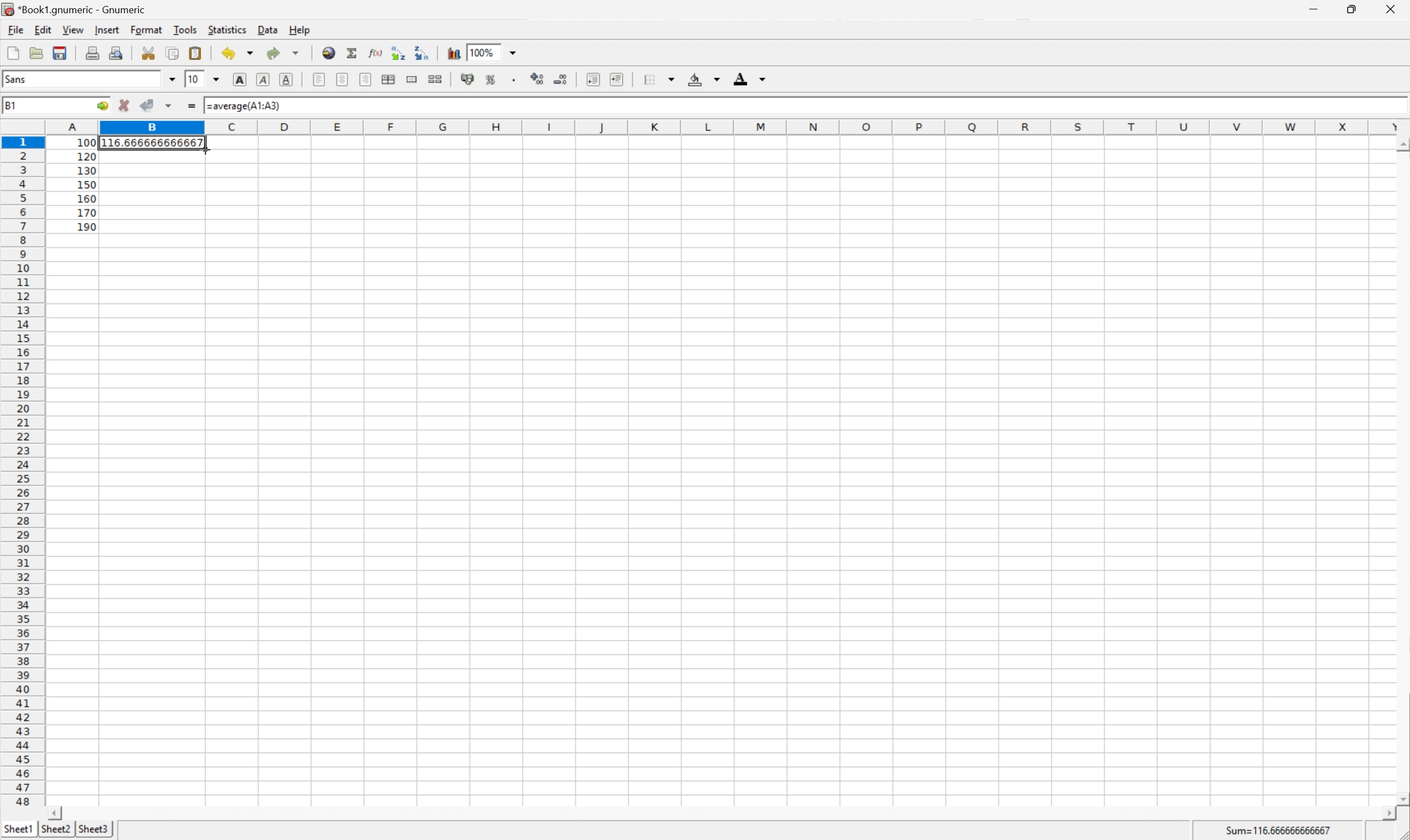 This screenshot has height=840, width=1410. What do you see at coordinates (45, 30) in the screenshot?
I see `Edit` at bounding box center [45, 30].